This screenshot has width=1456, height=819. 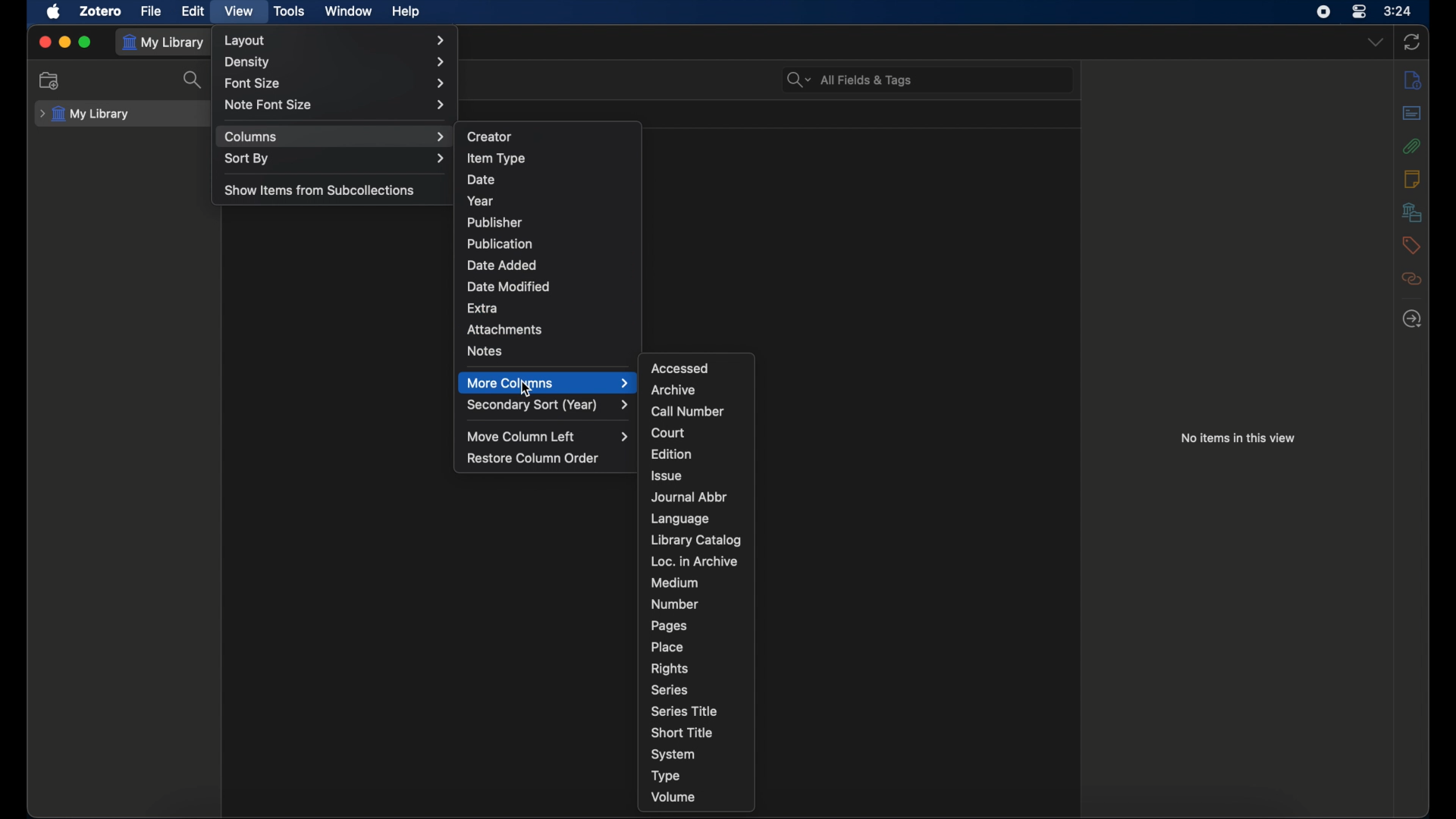 I want to click on restore column order, so click(x=533, y=459).